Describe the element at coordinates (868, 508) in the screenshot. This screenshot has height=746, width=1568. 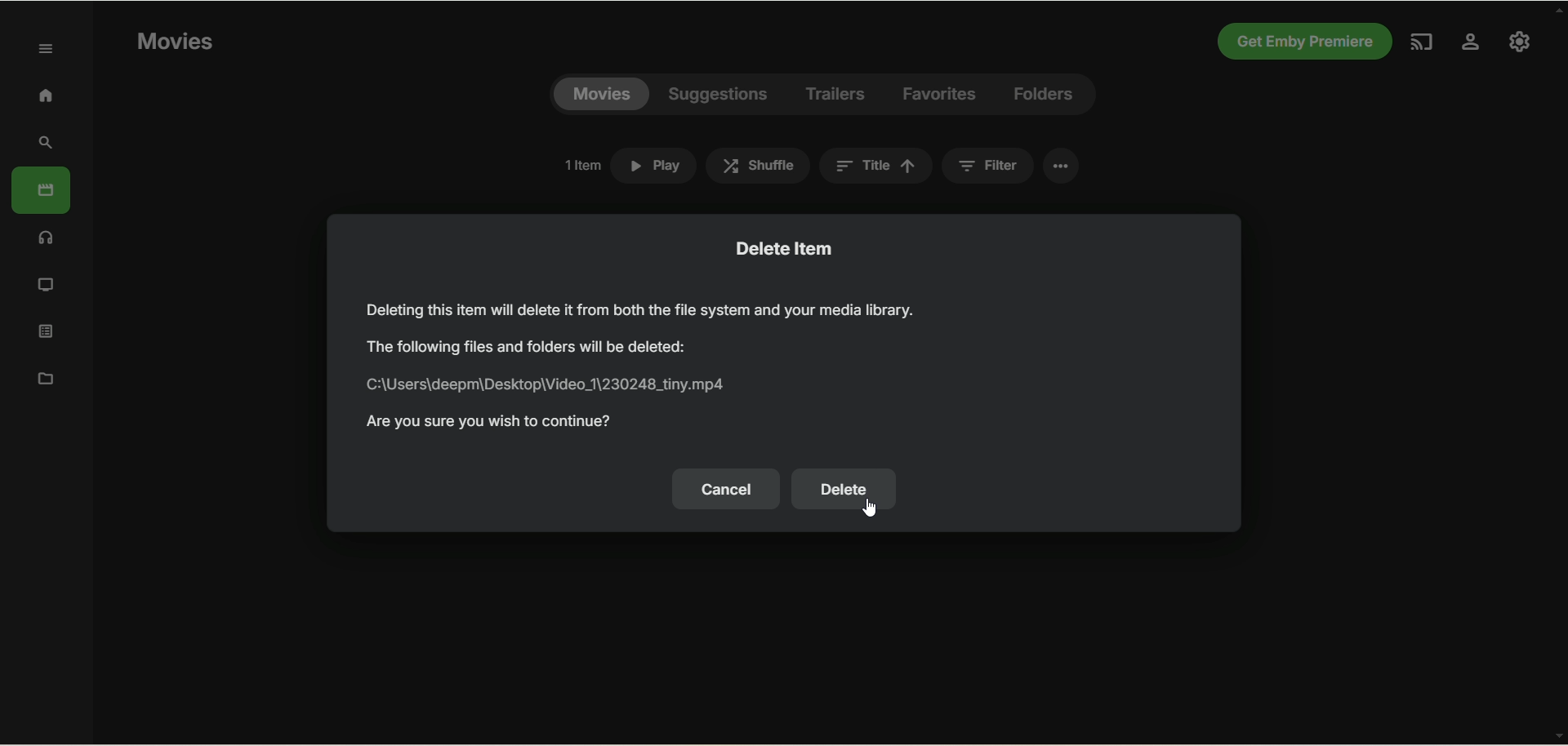
I see `Cursor` at that location.